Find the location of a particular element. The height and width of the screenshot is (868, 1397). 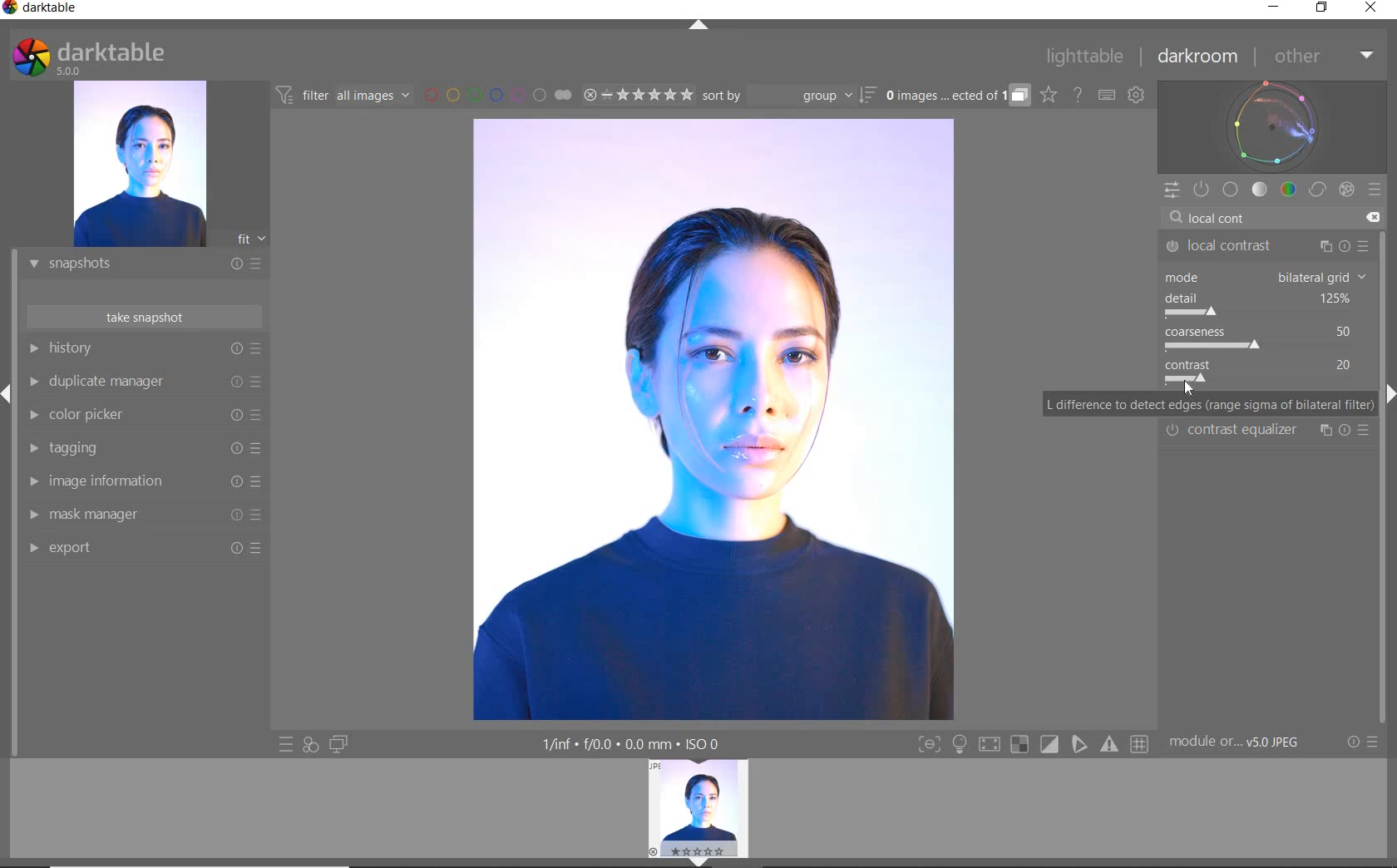

SORT is located at coordinates (787, 95).